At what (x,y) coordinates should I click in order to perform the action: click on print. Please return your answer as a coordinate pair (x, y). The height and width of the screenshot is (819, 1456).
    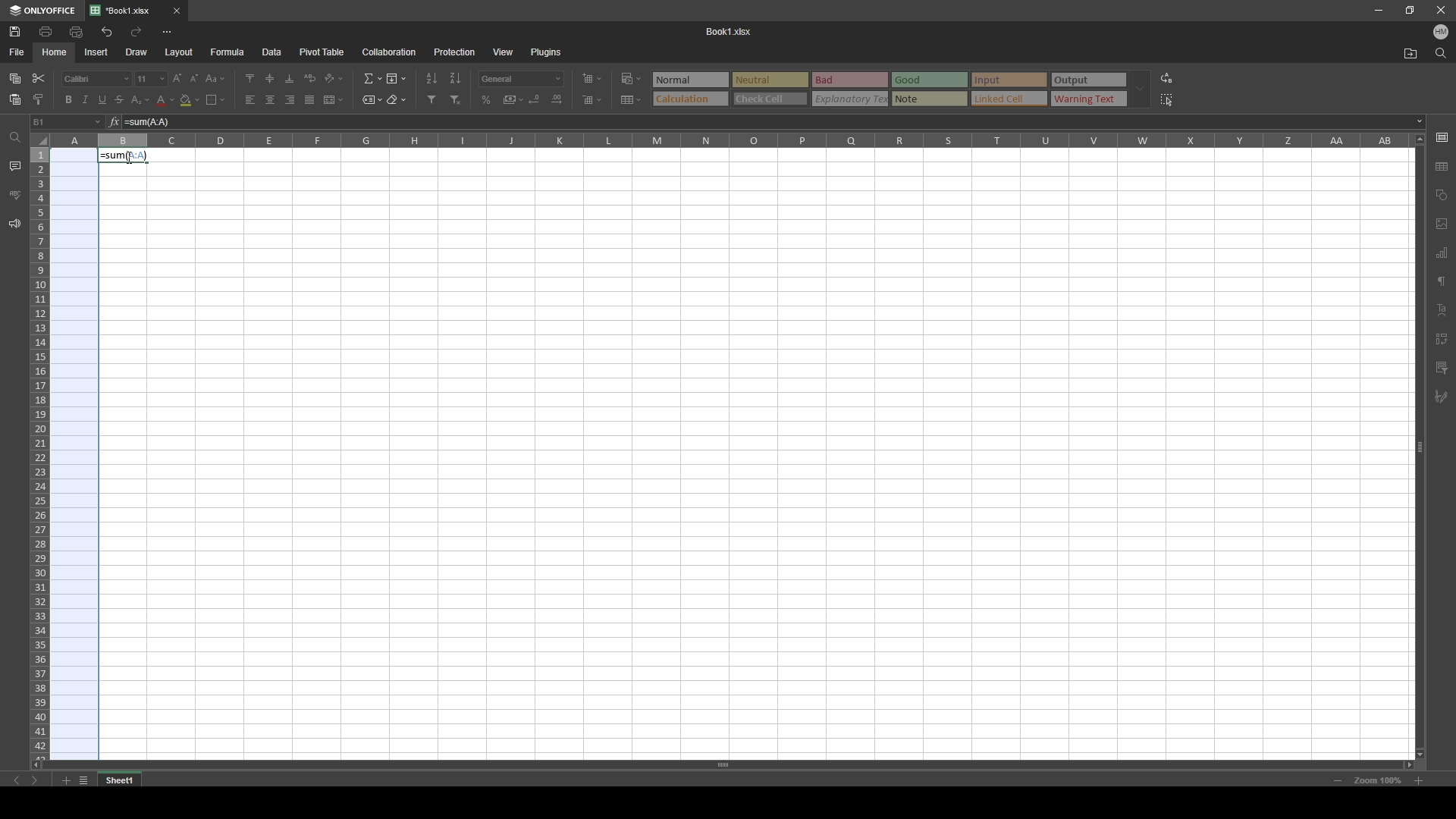
    Looking at the image, I should click on (47, 31).